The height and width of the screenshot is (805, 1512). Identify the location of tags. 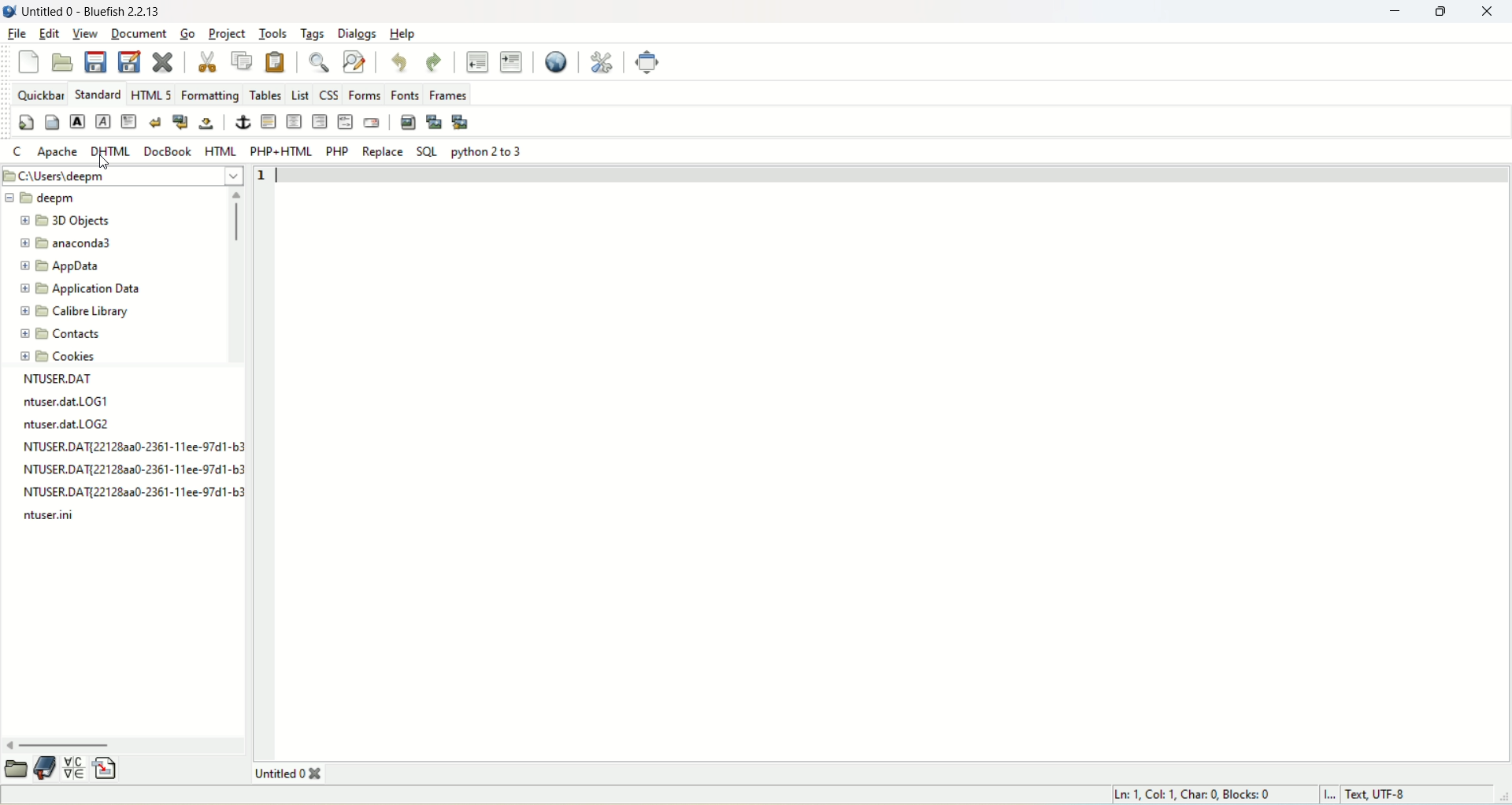
(310, 35).